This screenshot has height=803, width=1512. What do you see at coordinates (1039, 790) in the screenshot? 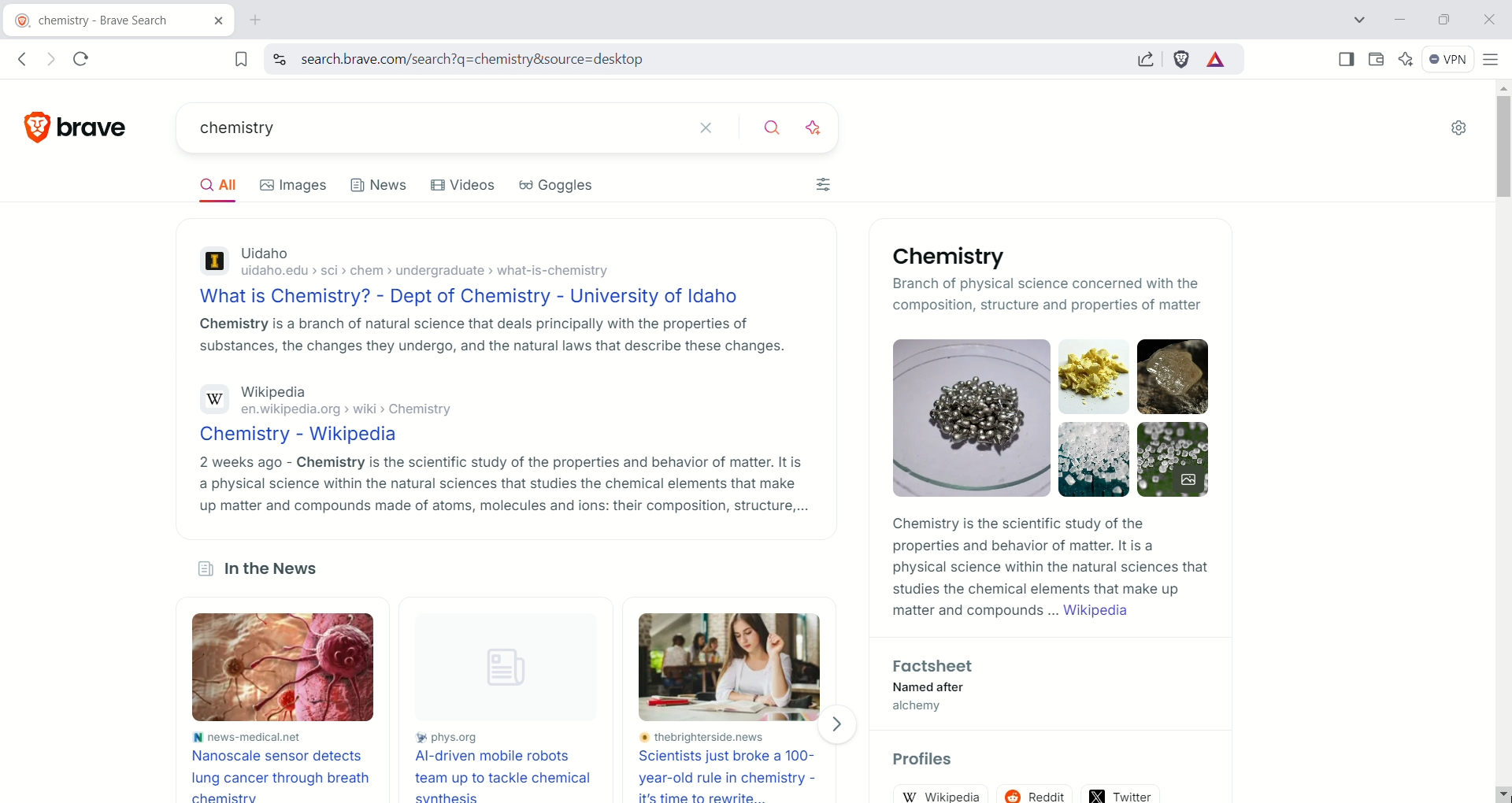
I see `reddit` at bounding box center [1039, 790].